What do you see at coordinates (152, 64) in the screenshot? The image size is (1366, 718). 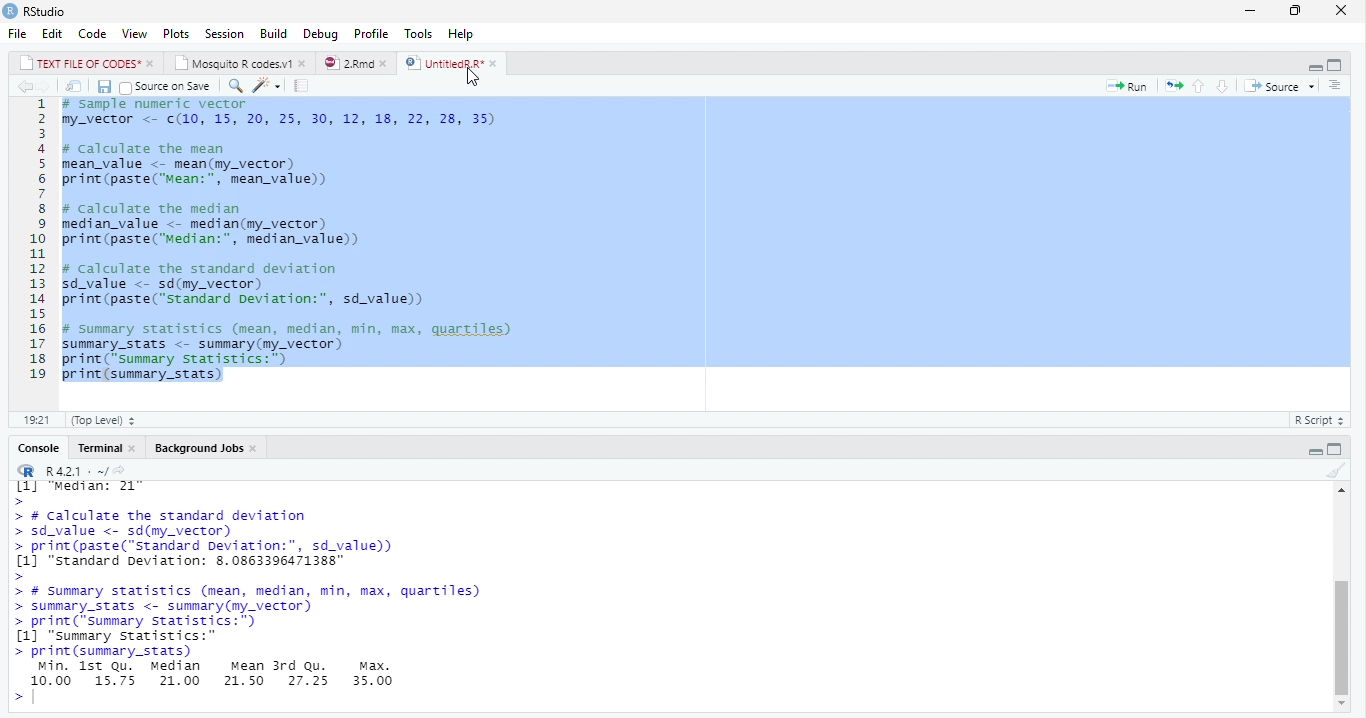 I see `close` at bounding box center [152, 64].